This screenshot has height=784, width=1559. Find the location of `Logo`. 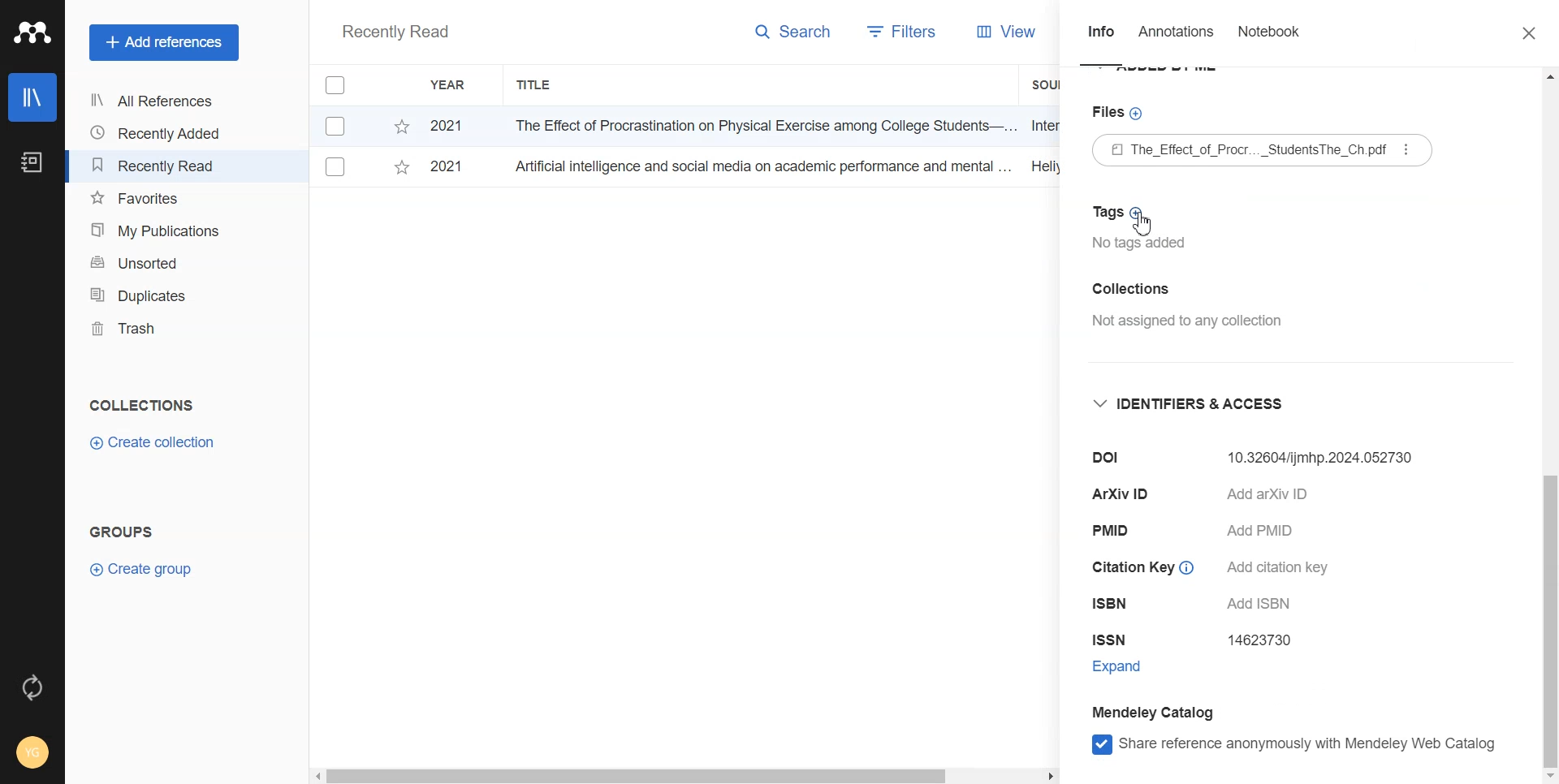

Logo is located at coordinates (32, 32).